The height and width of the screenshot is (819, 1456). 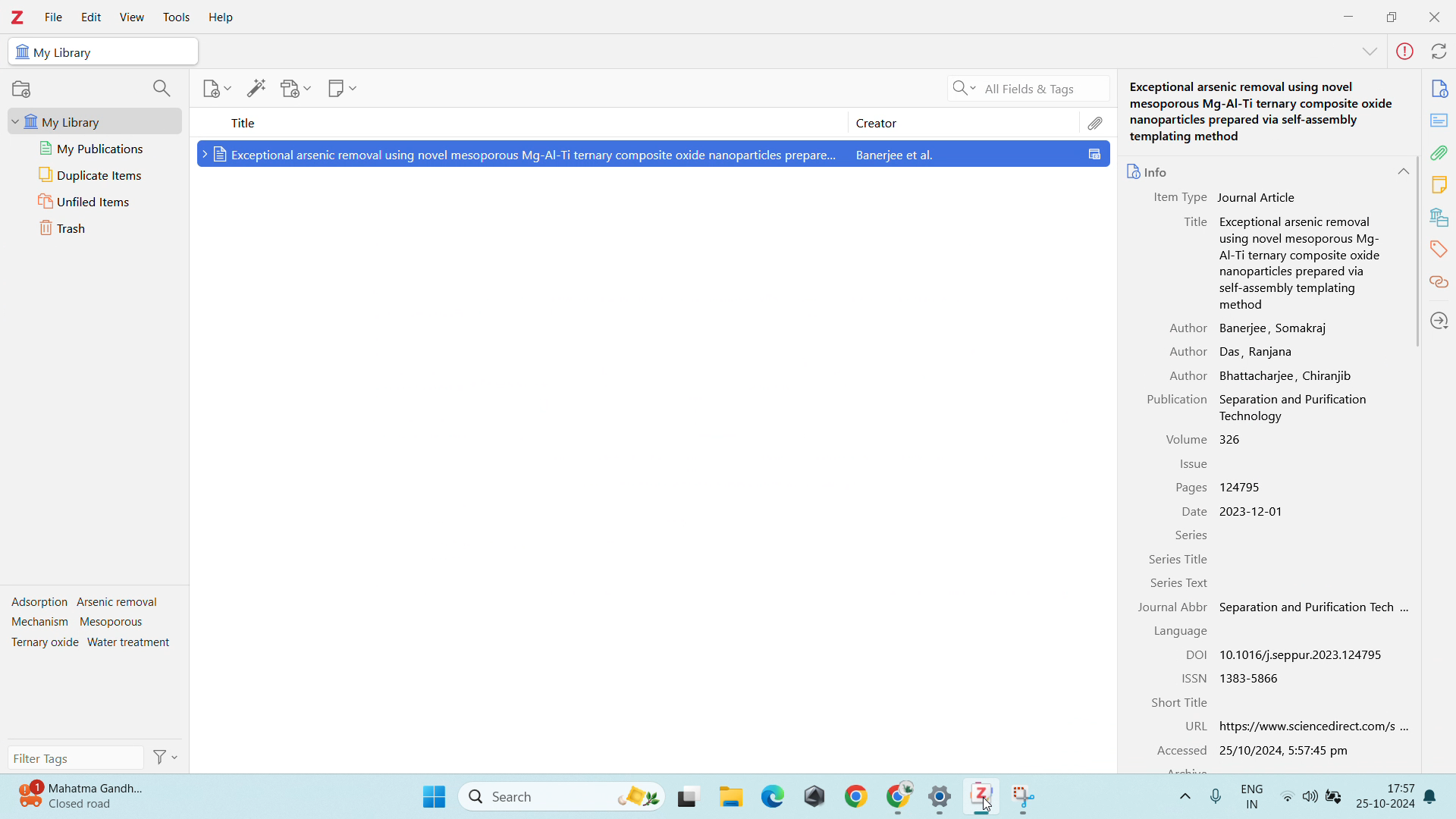 What do you see at coordinates (1440, 184) in the screenshot?
I see `notes` at bounding box center [1440, 184].